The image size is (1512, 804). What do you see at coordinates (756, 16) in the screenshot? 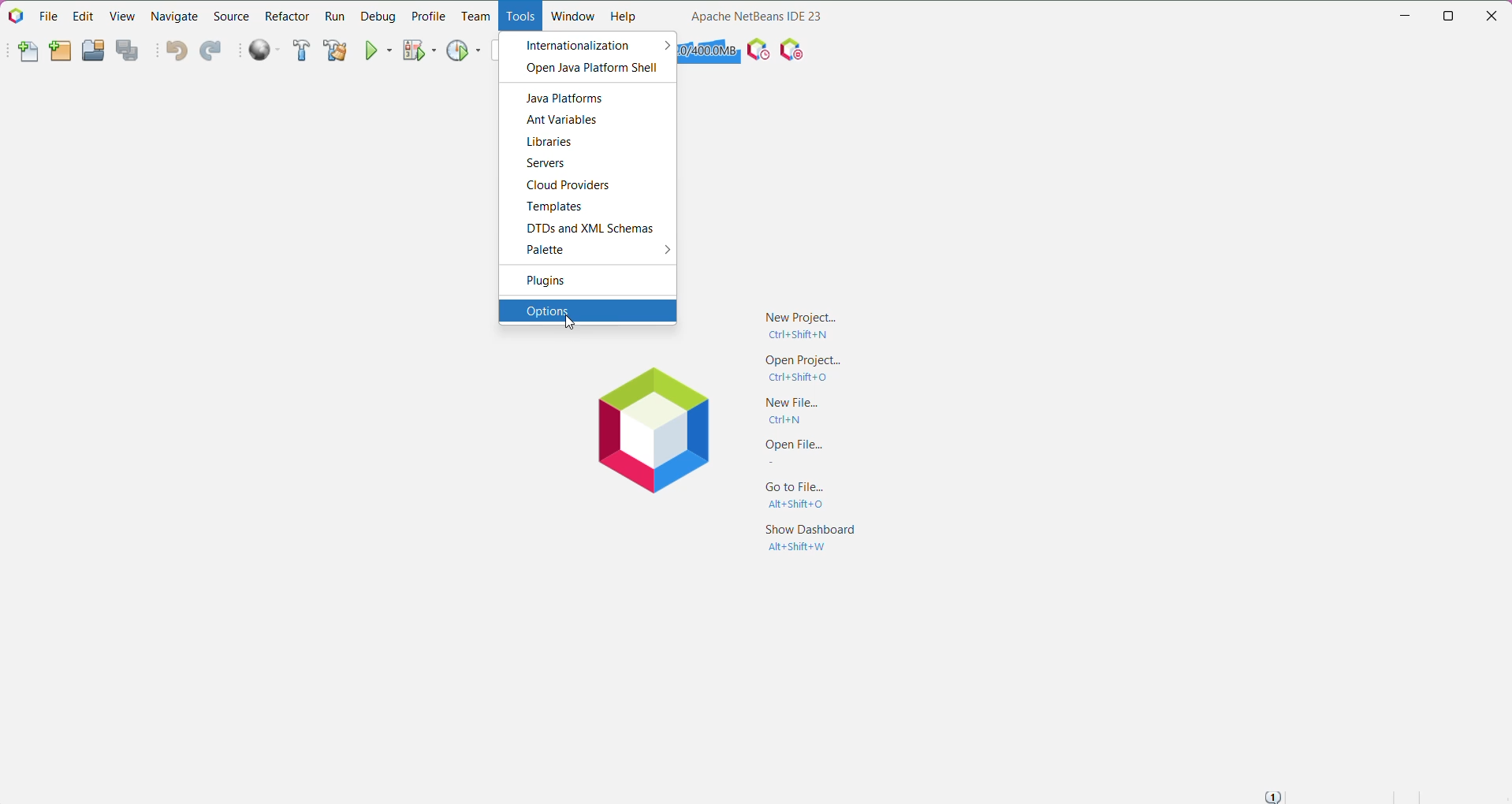
I see `Application Name` at bounding box center [756, 16].